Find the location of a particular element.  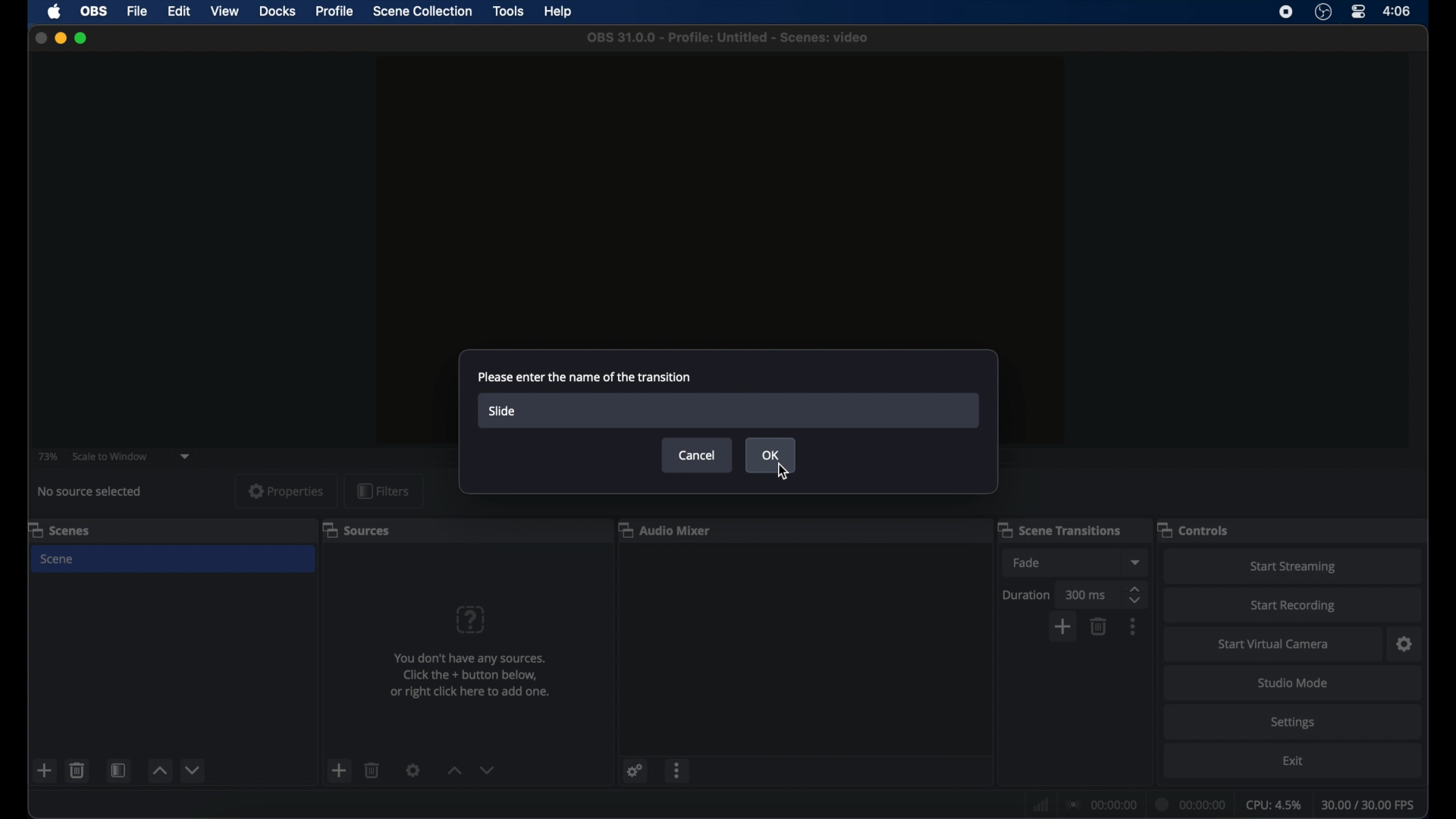

scene transitions is located at coordinates (1062, 529).